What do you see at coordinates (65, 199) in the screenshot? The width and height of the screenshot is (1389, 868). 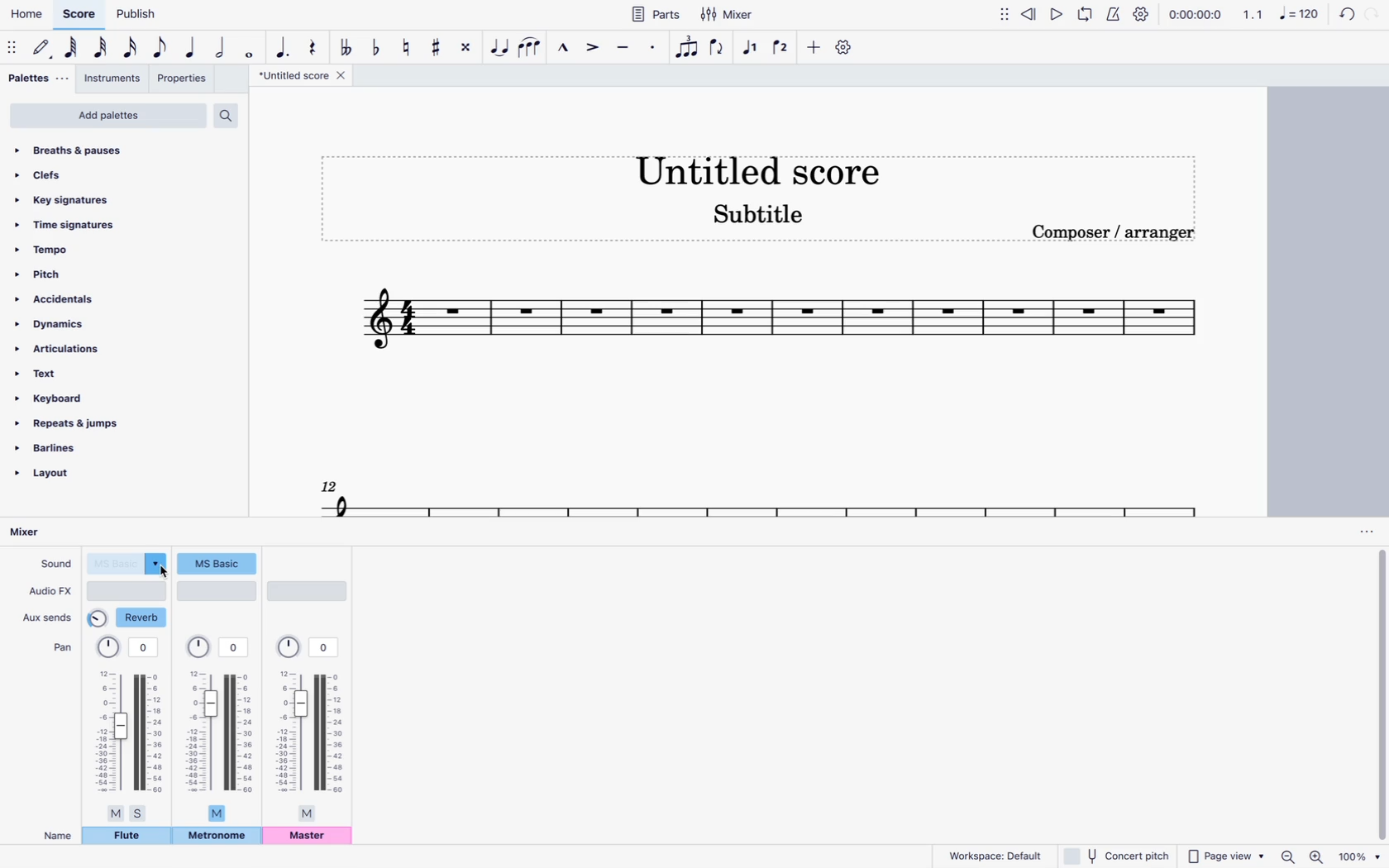 I see `key signatures` at bounding box center [65, 199].